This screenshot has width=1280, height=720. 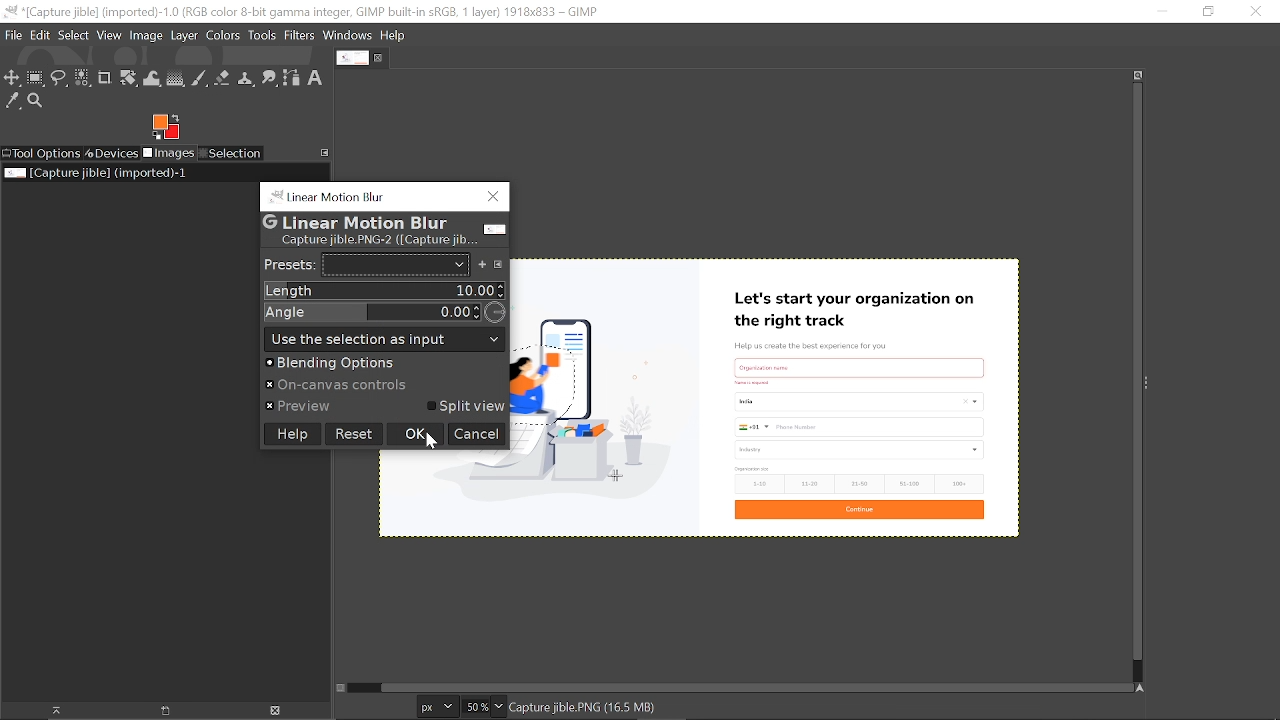 I want to click on Help, so click(x=290, y=434).